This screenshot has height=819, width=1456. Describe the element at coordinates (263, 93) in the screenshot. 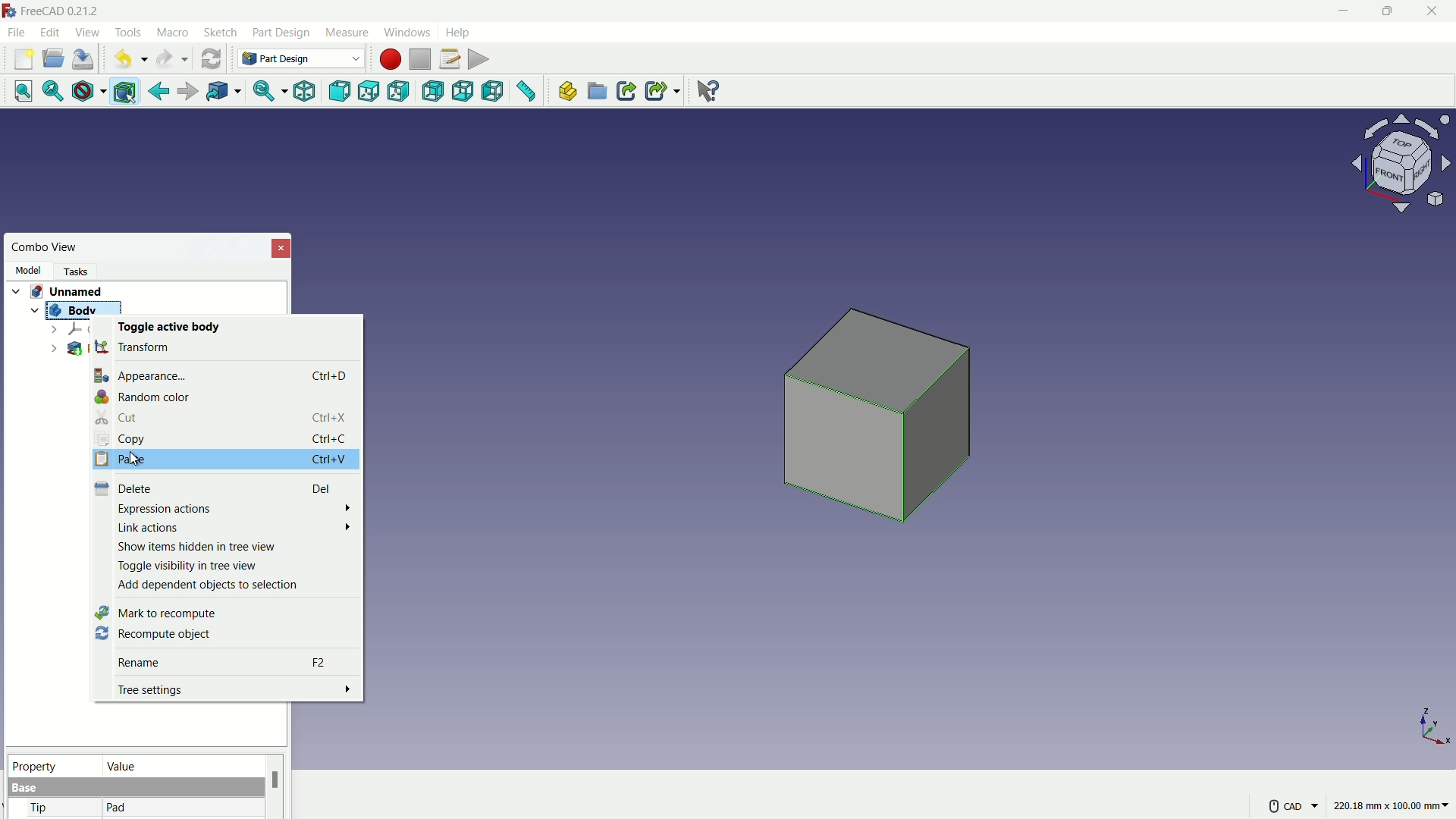

I see `sync view` at that location.